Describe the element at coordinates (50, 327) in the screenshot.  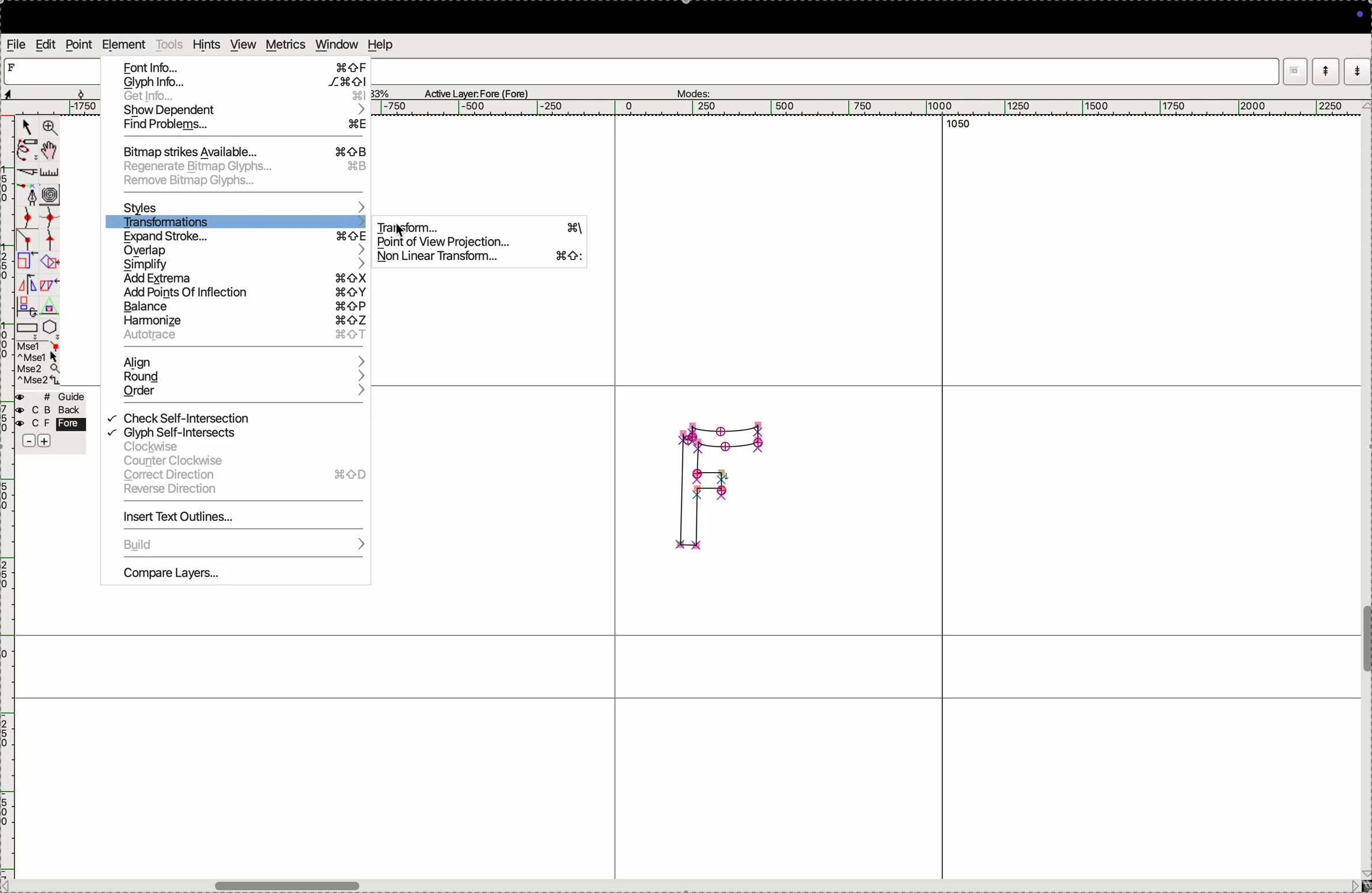
I see `pentagon` at that location.